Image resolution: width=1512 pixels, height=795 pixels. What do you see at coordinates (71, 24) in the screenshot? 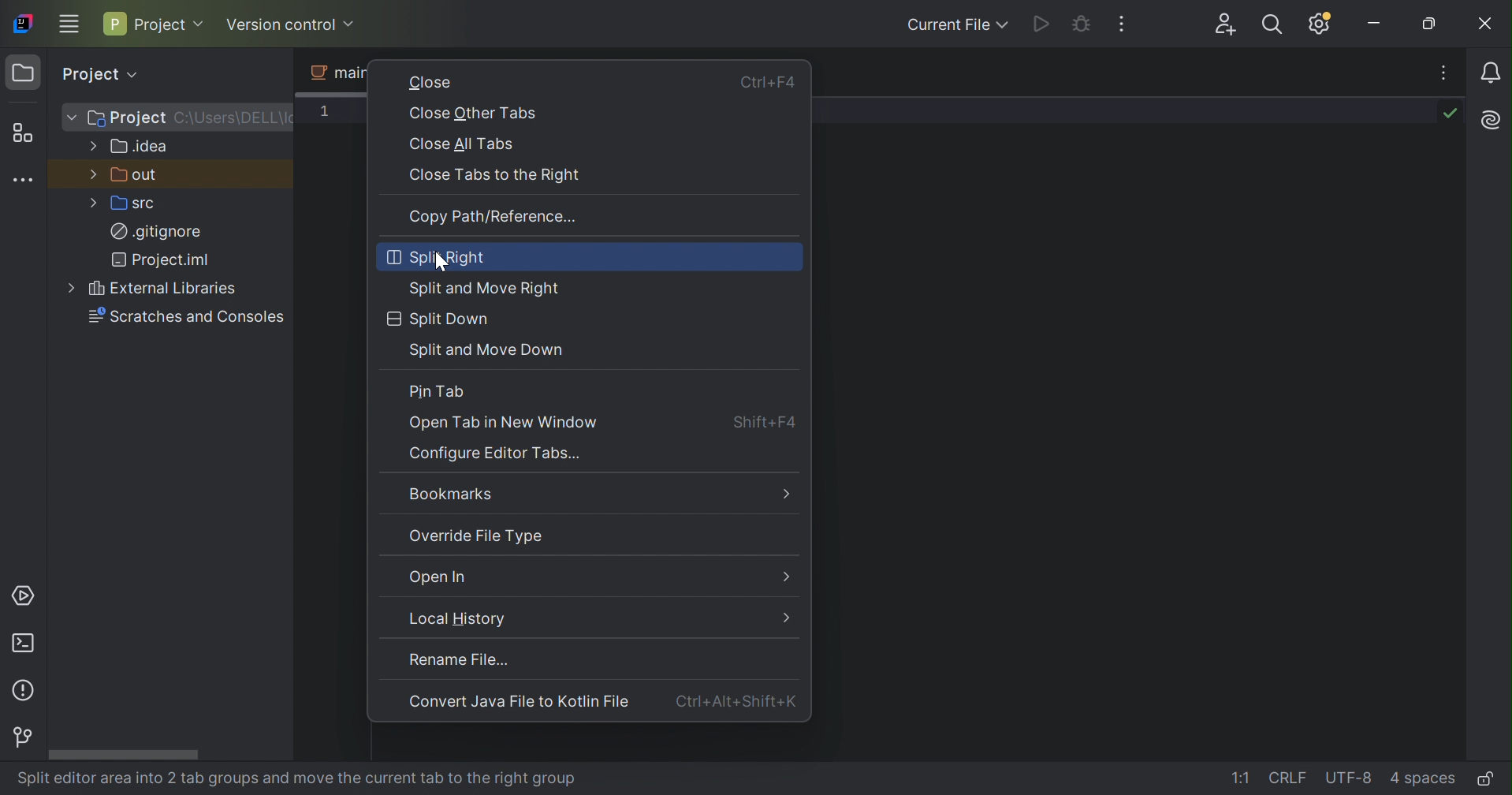
I see `Main menu` at bounding box center [71, 24].